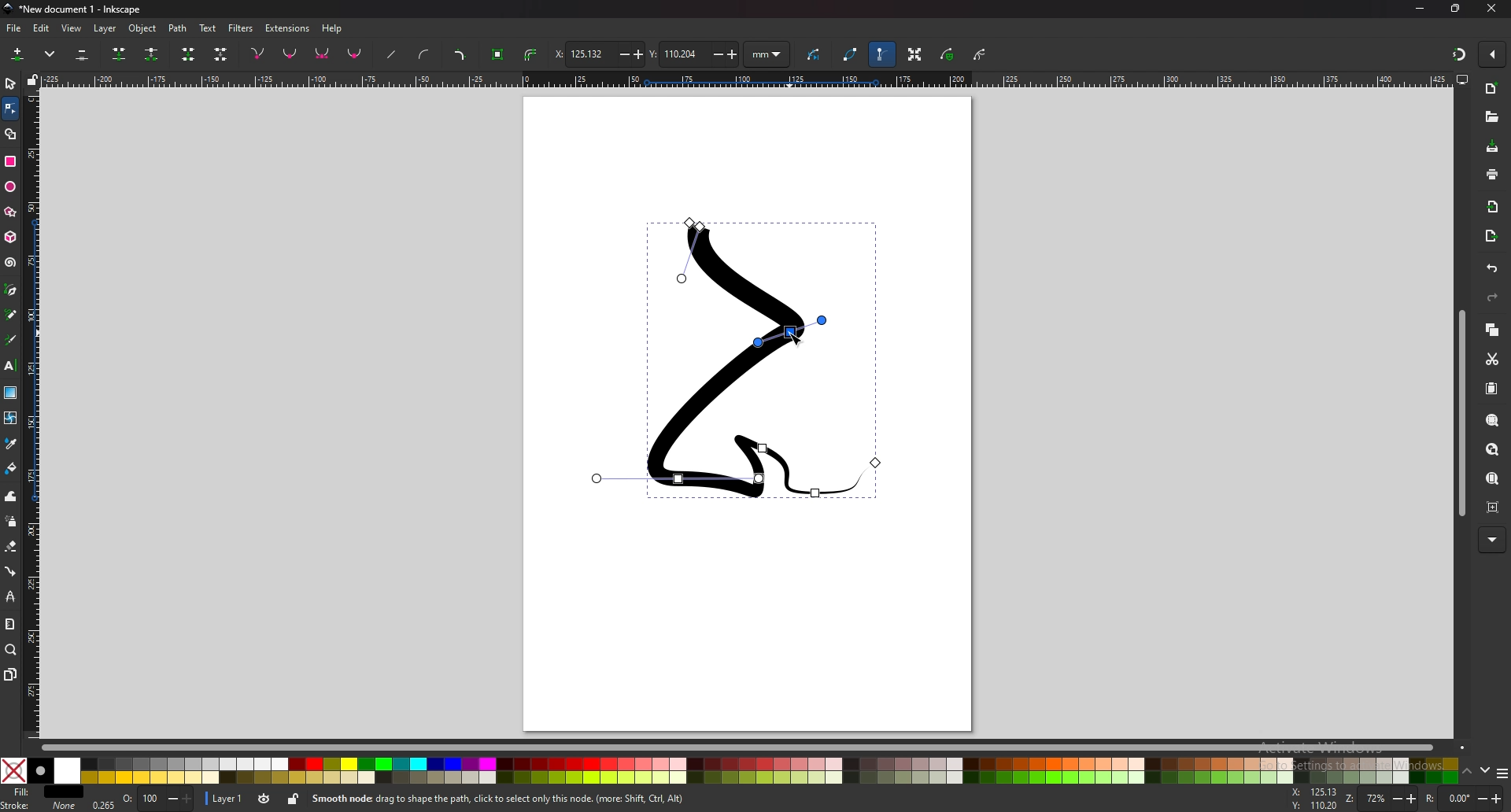 The width and height of the screenshot is (1511, 812). Describe the element at coordinates (1461, 413) in the screenshot. I see `scroll bar` at that location.